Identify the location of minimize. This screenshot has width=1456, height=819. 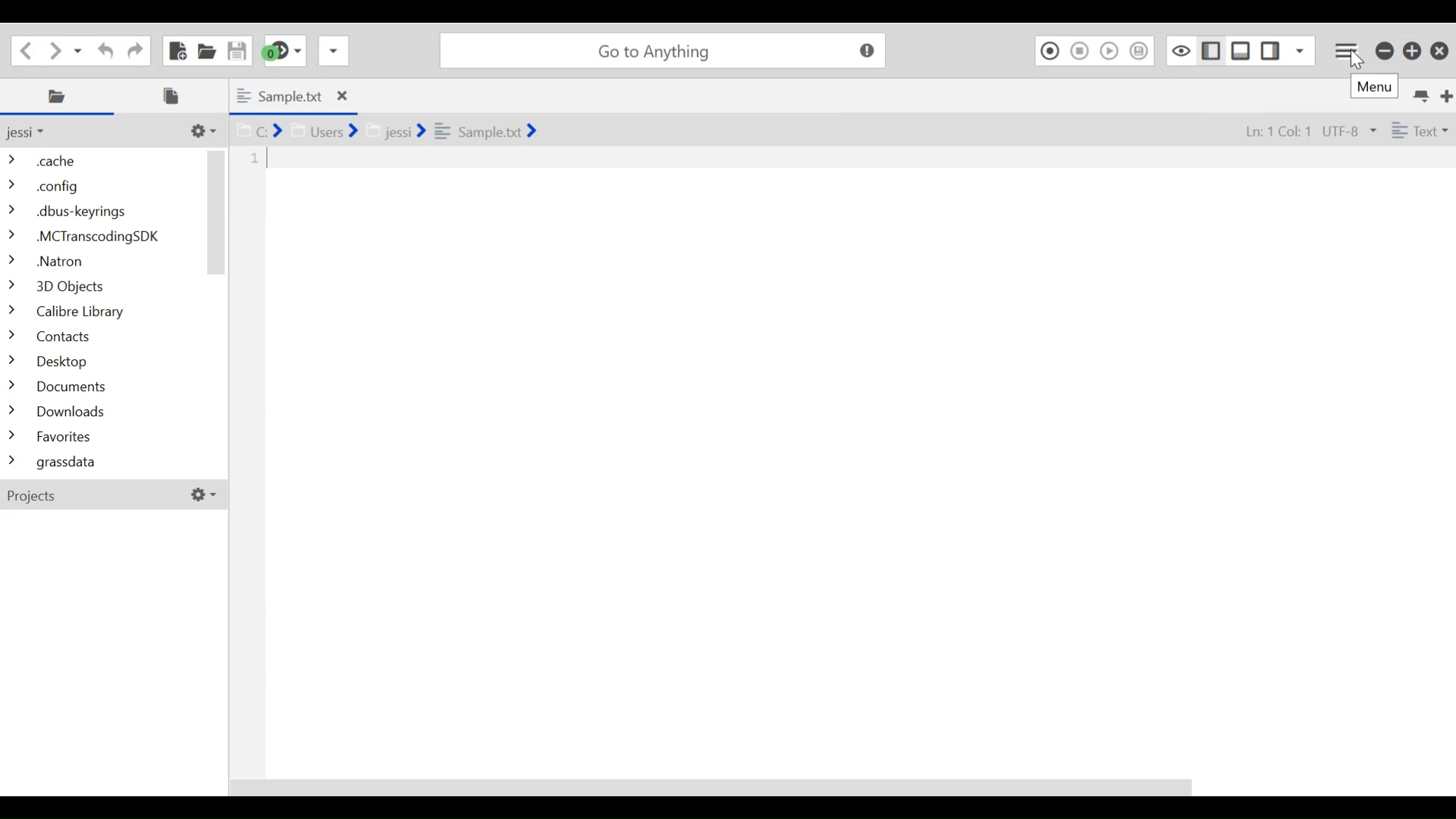
(1384, 51).